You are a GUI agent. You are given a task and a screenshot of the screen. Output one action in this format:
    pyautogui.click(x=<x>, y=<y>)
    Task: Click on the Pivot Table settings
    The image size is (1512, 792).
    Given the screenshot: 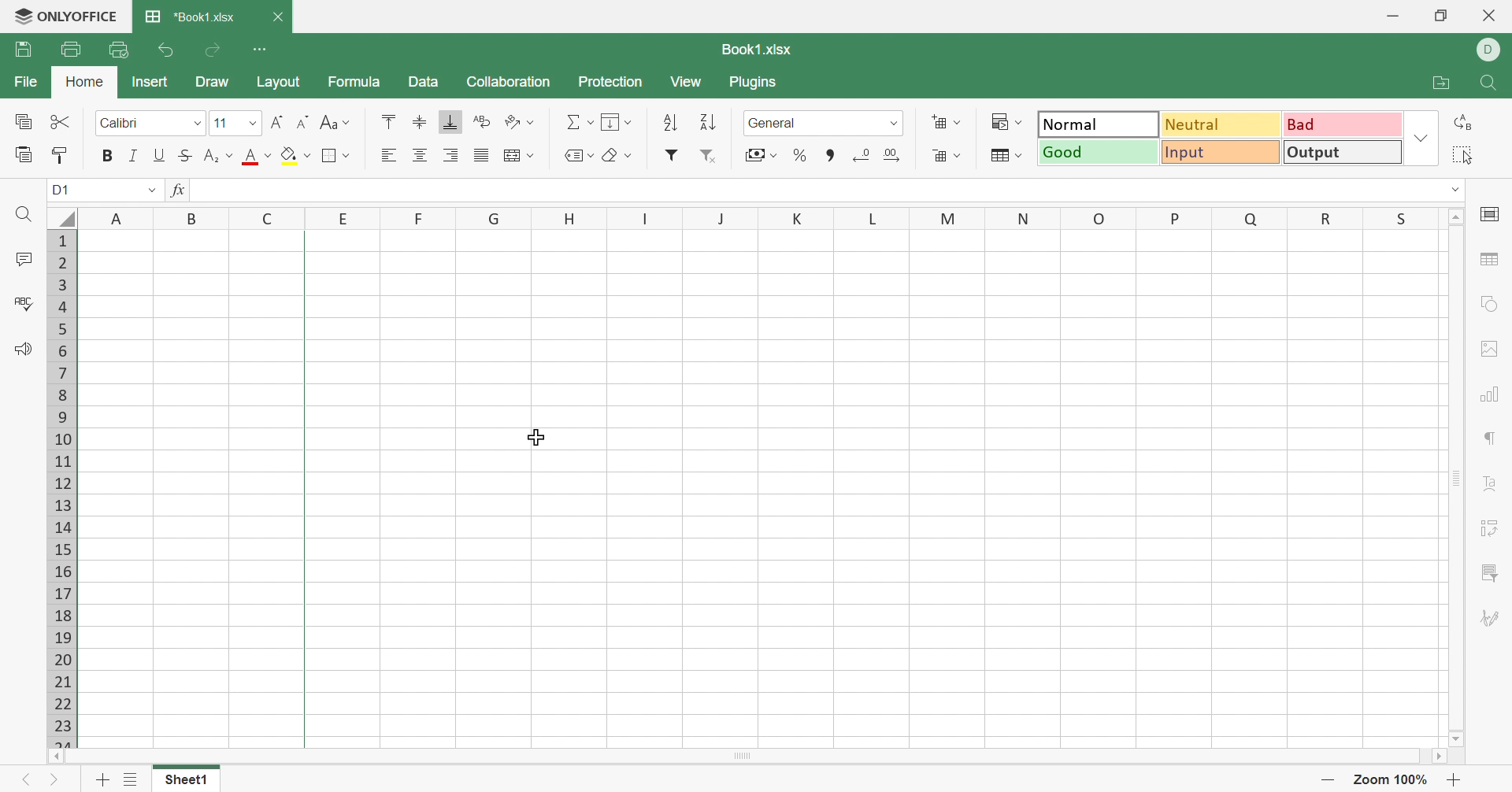 What is the action you would take?
    pyautogui.click(x=1492, y=527)
    